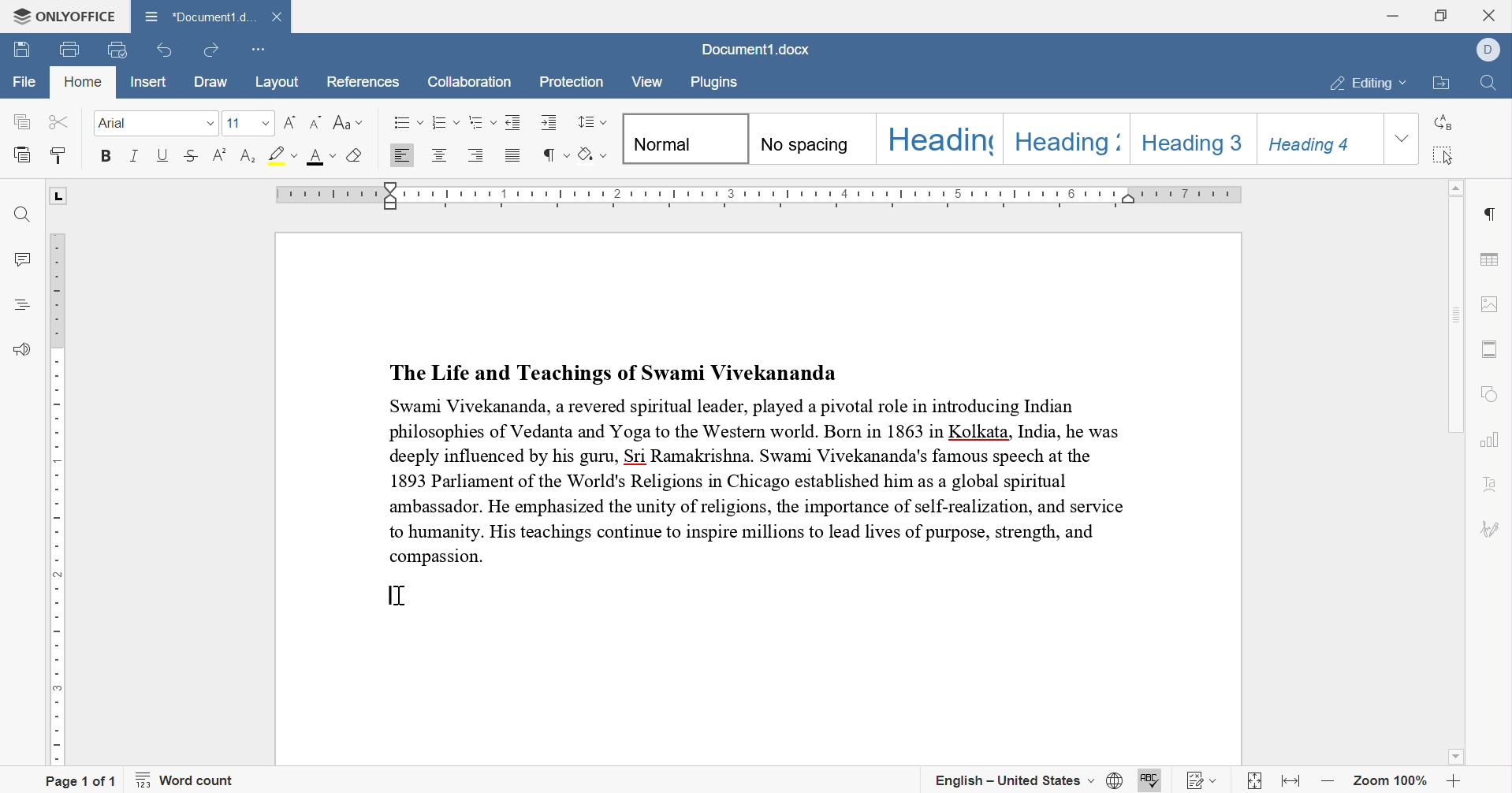 The height and width of the screenshot is (793, 1512). Describe the element at coordinates (1441, 123) in the screenshot. I see `replace` at that location.